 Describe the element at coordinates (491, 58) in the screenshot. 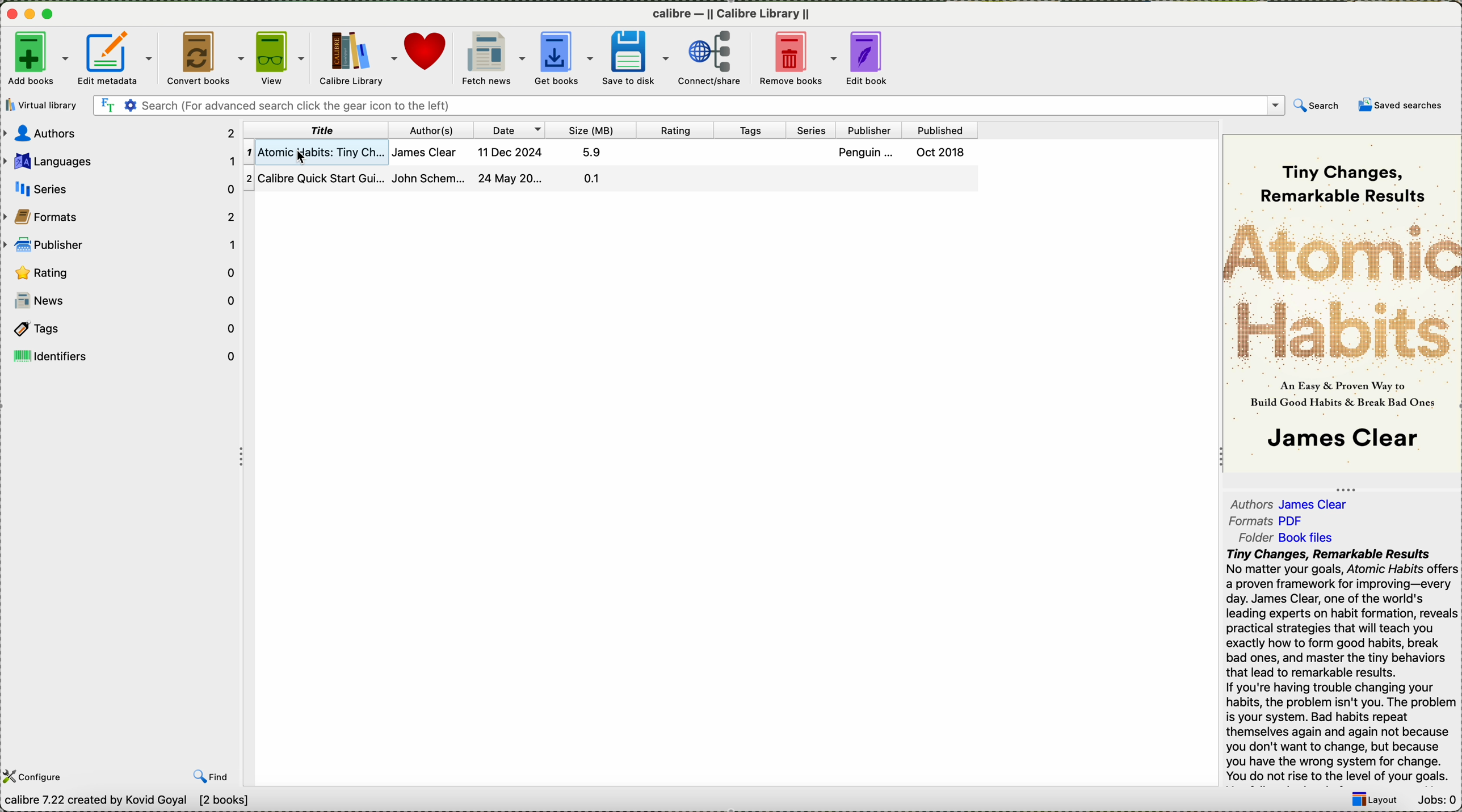

I see `fetch news` at that location.